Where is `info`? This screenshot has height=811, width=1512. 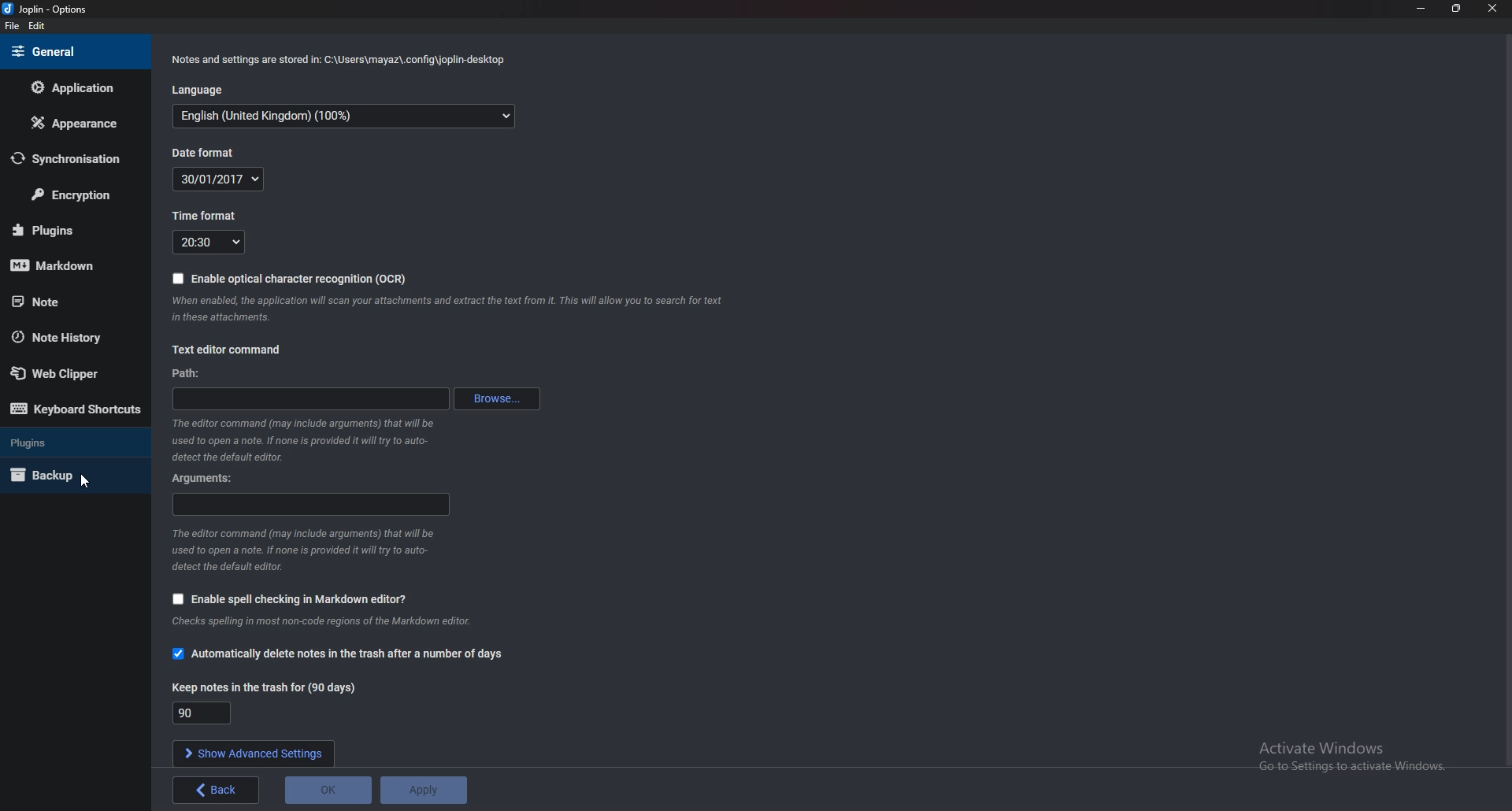
info is located at coordinates (344, 59).